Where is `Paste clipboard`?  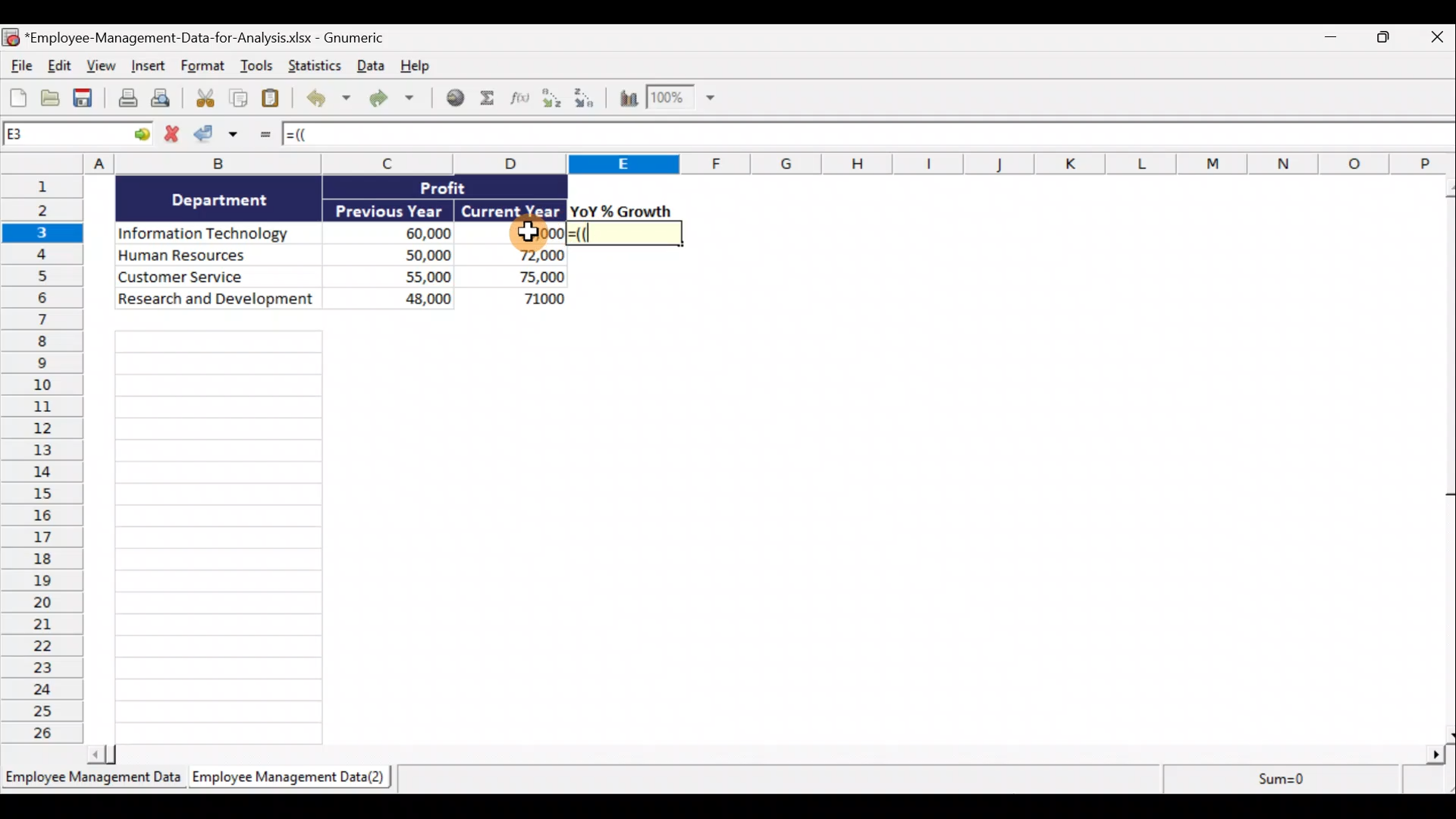
Paste clipboard is located at coordinates (274, 99).